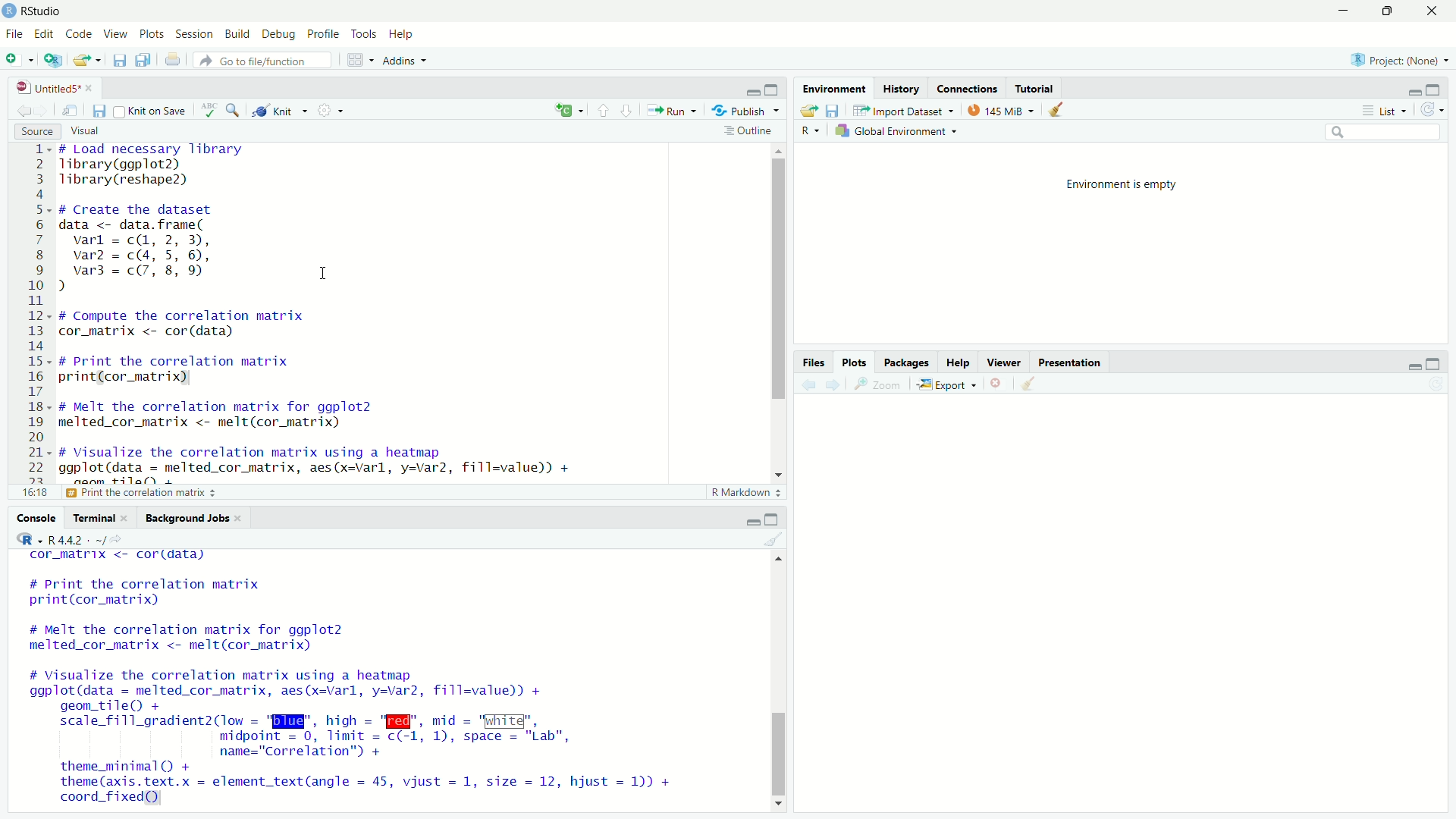 The width and height of the screenshot is (1456, 819). Describe the element at coordinates (1125, 186) in the screenshot. I see `environment is empty` at that location.